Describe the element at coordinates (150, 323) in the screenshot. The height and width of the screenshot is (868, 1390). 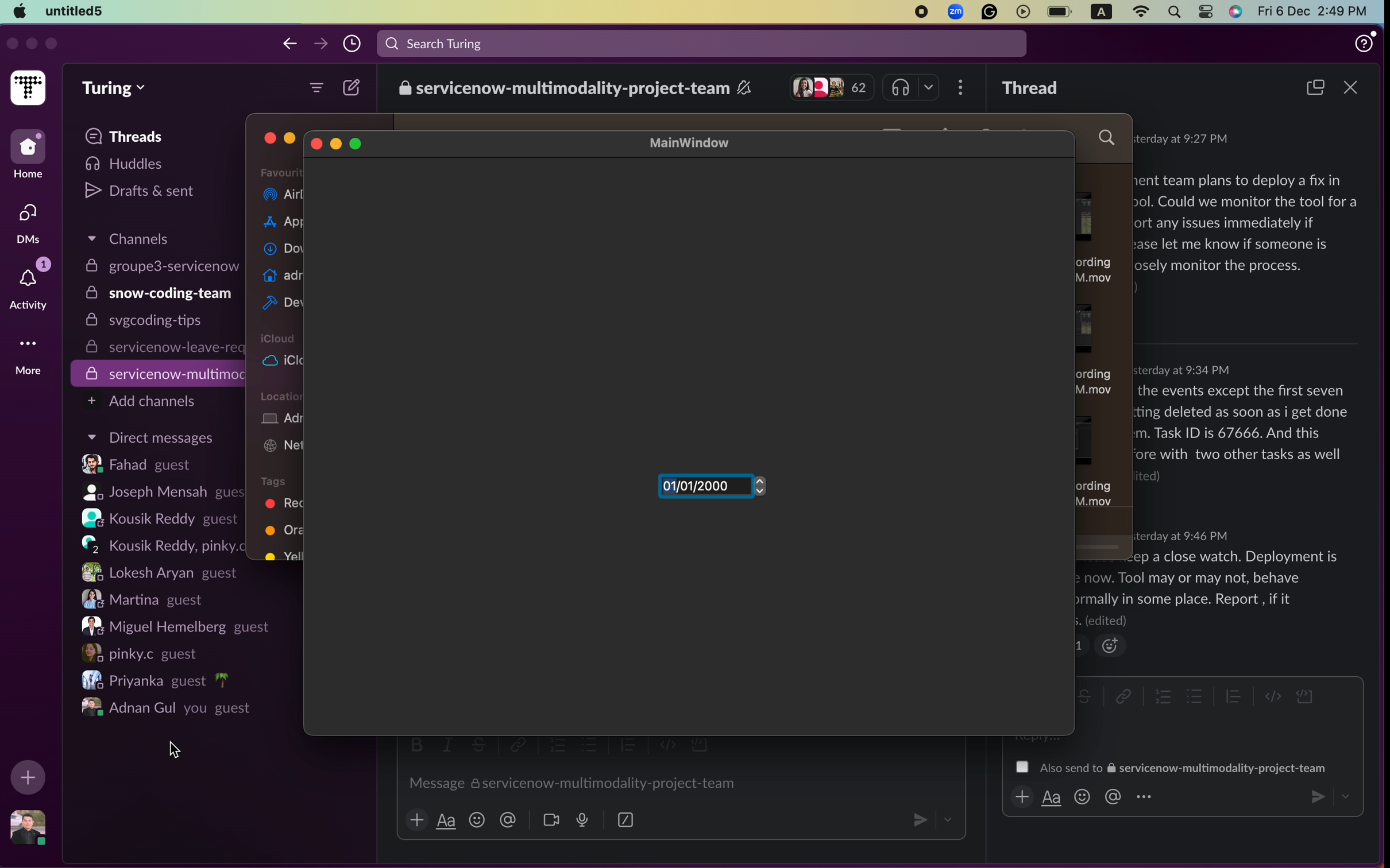
I see `svg coding tips` at that location.